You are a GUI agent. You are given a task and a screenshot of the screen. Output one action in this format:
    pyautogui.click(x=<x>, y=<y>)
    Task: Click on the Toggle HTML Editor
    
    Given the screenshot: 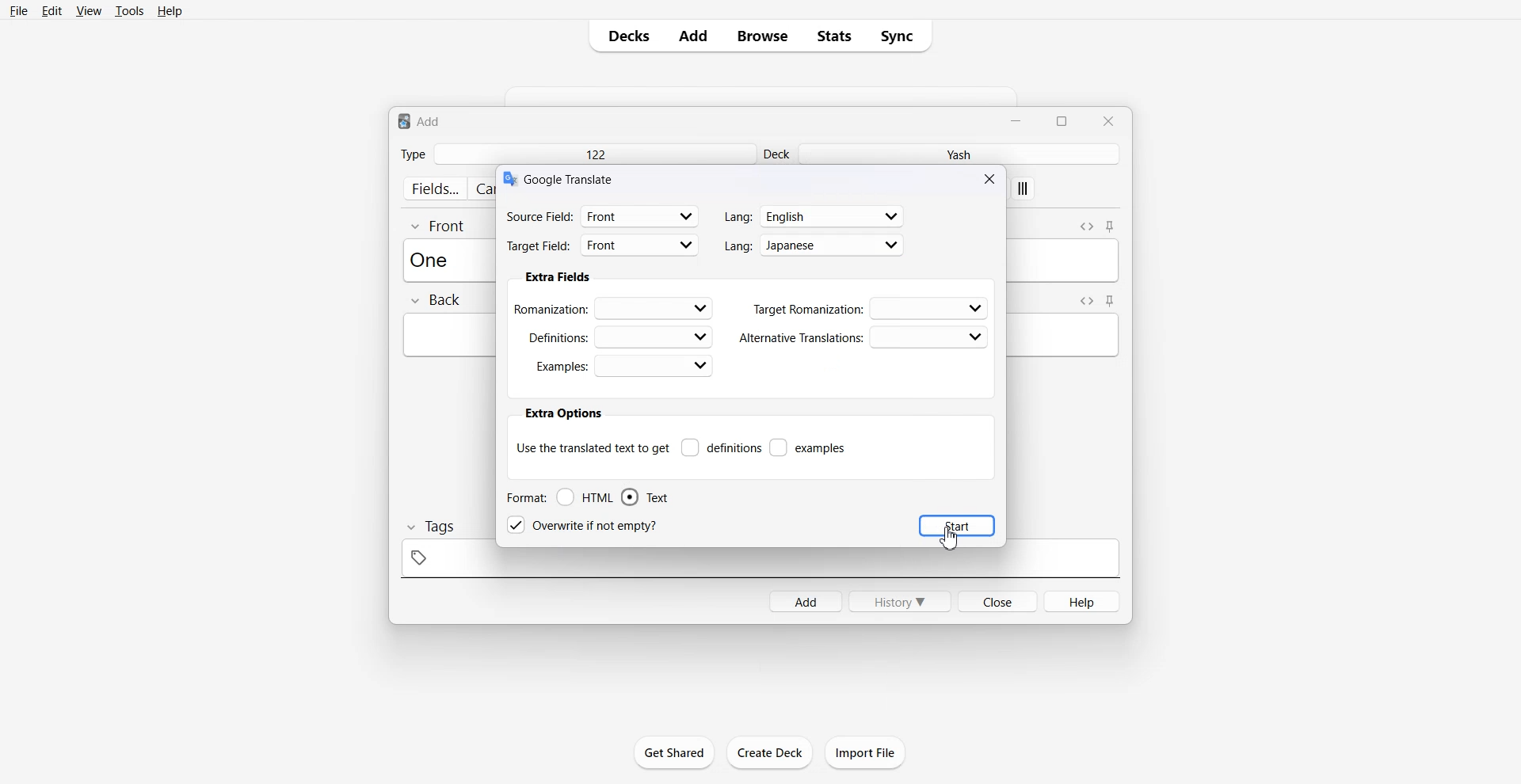 What is the action you would take?
    pyautogui.click(x=1084, y=300)
    